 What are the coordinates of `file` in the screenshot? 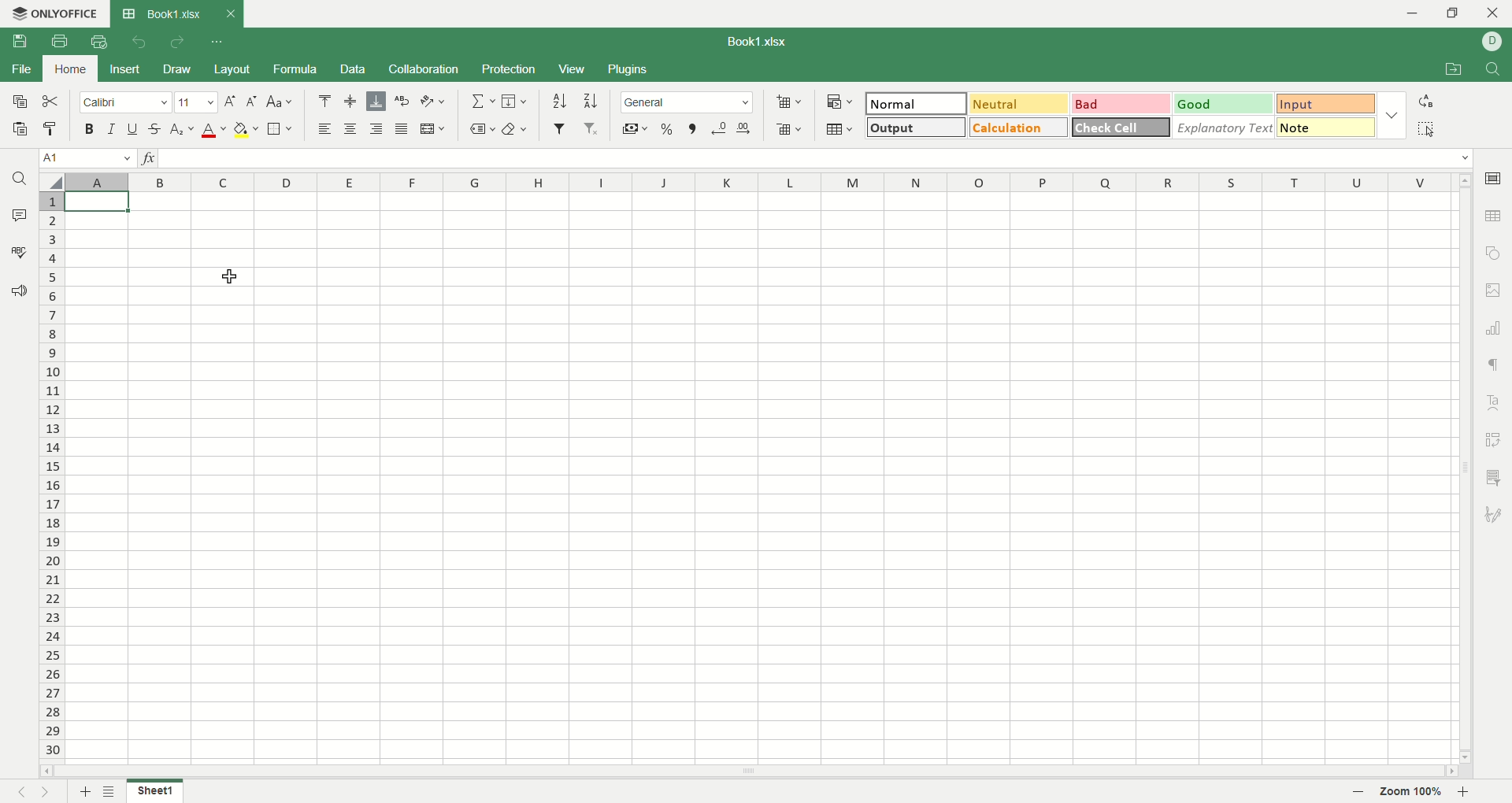 It's located at (20, 71).